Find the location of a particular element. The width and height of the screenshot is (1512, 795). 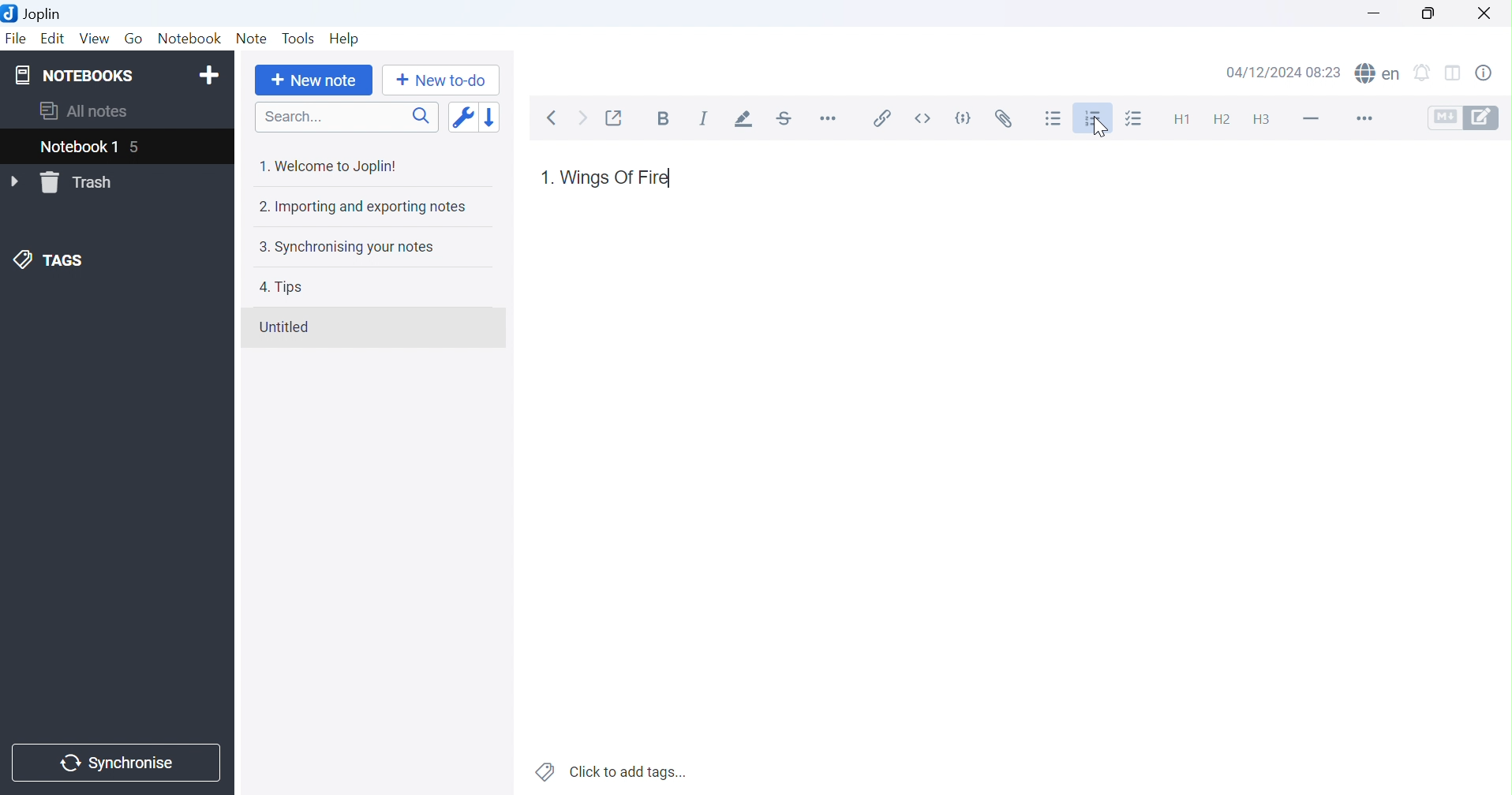

Strikethrough is located at coordinates (788, 120).